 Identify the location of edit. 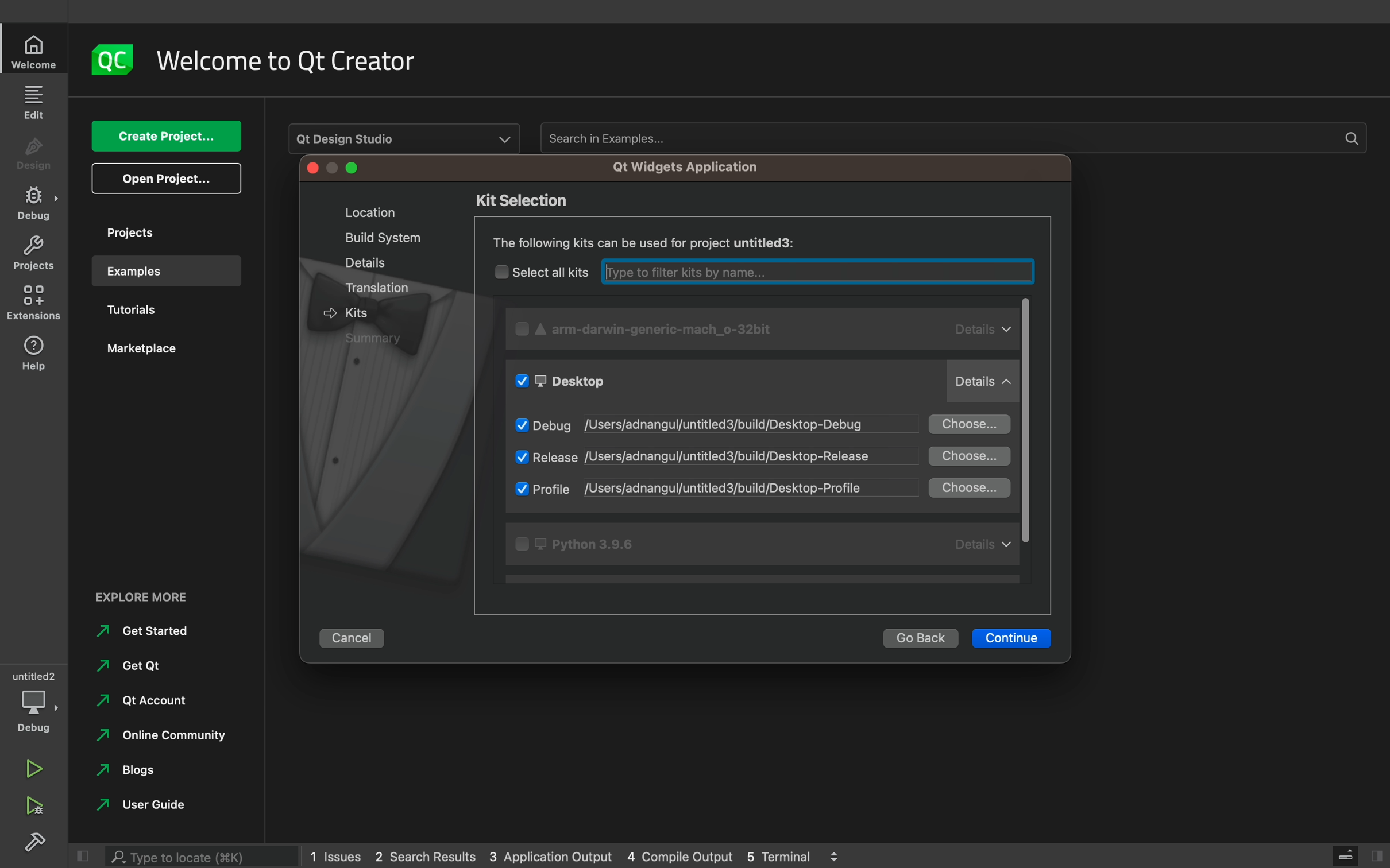
(36, 101).